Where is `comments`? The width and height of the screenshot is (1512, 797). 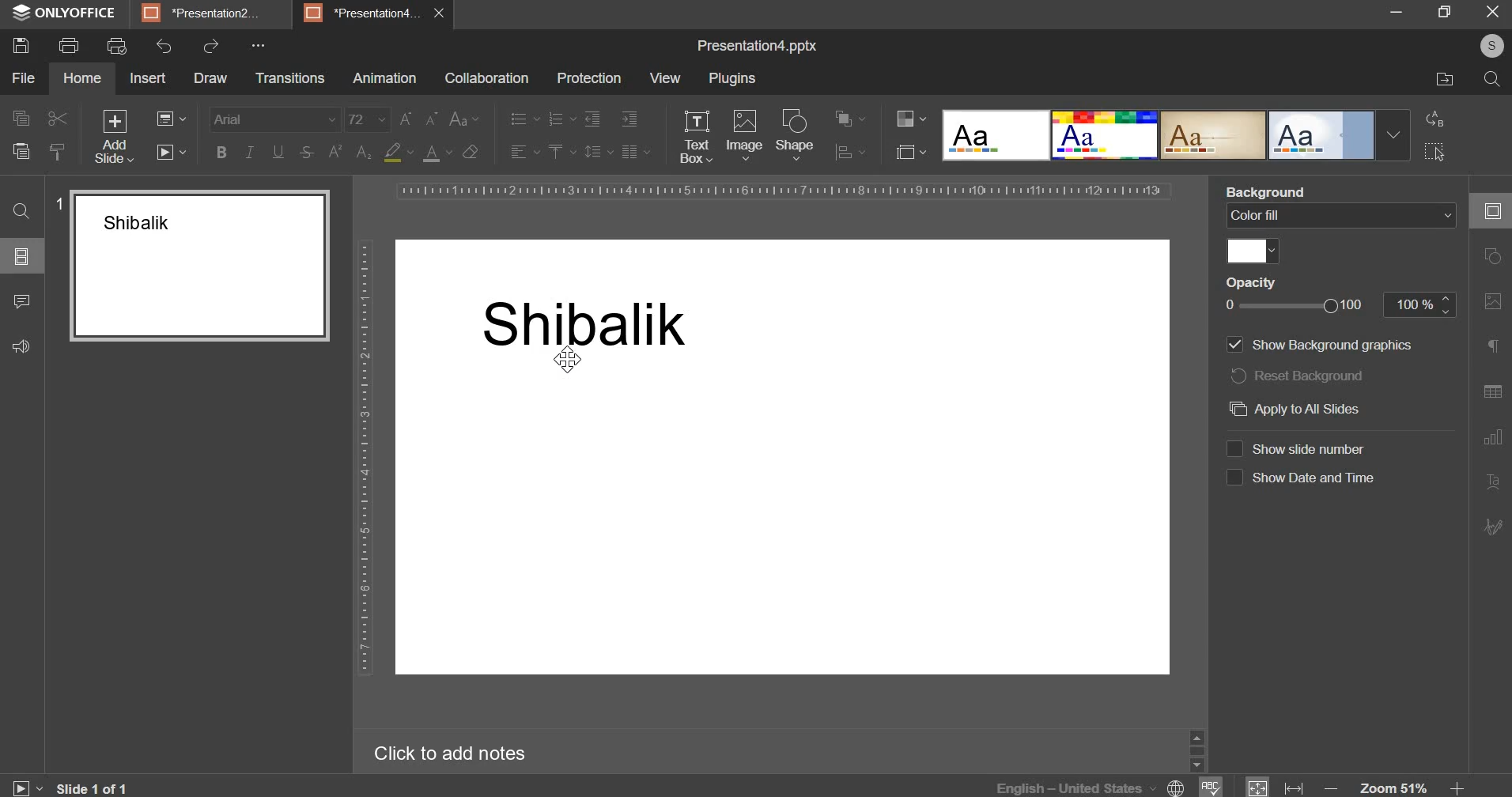
comments is located at coordinates (25, 300).